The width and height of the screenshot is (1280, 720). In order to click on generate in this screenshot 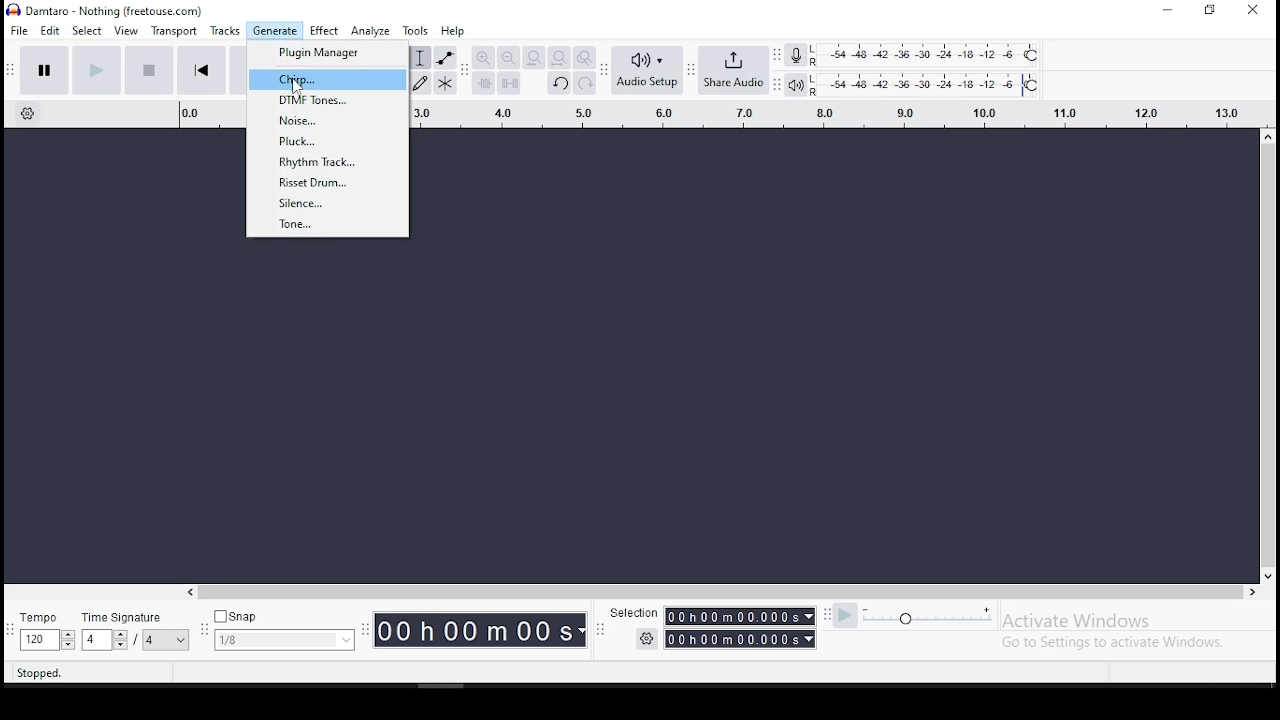, I will do `click(275, 30)`.